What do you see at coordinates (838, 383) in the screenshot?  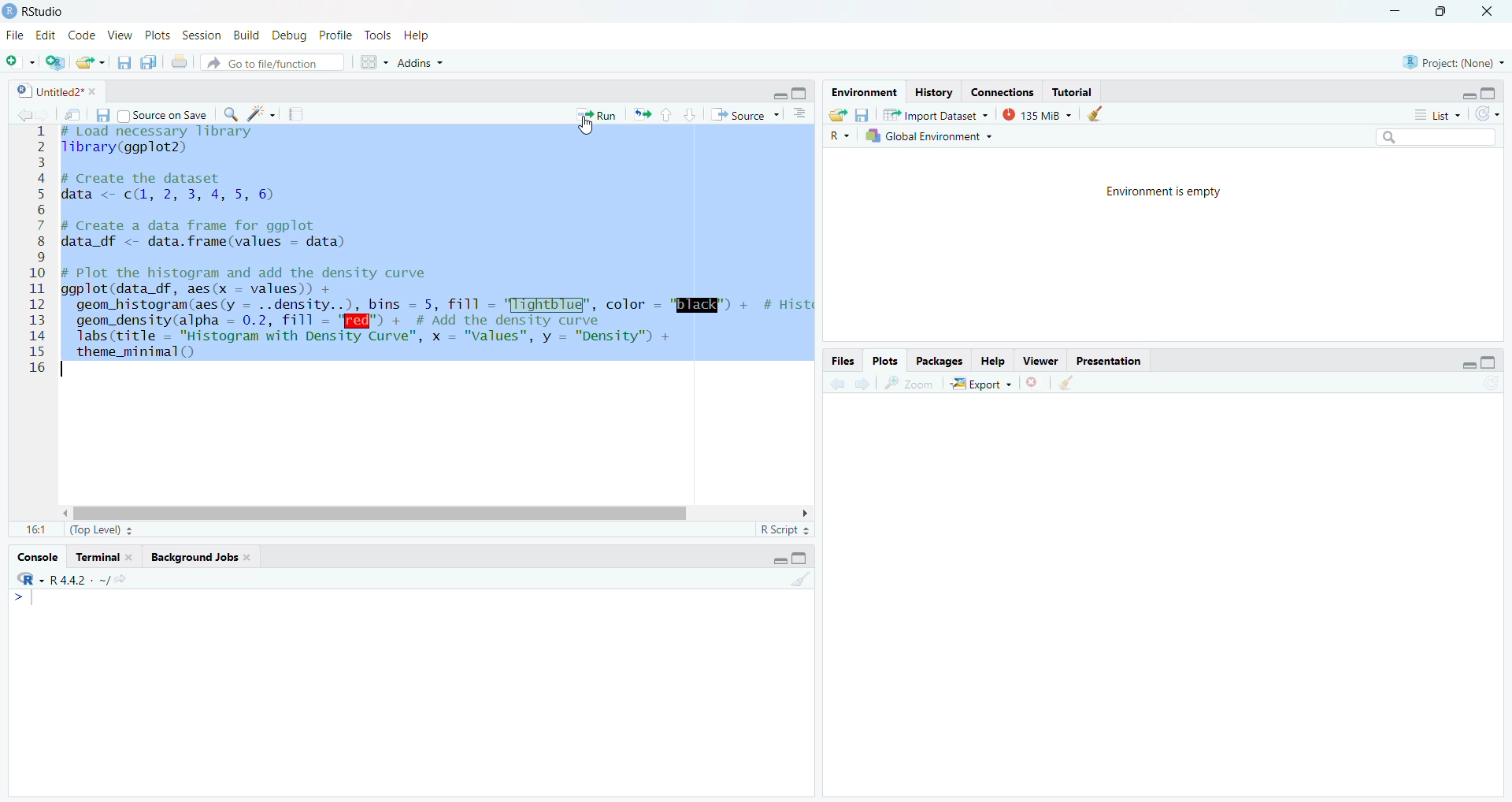 I see `previous plot` at bounding box center [838, 383].